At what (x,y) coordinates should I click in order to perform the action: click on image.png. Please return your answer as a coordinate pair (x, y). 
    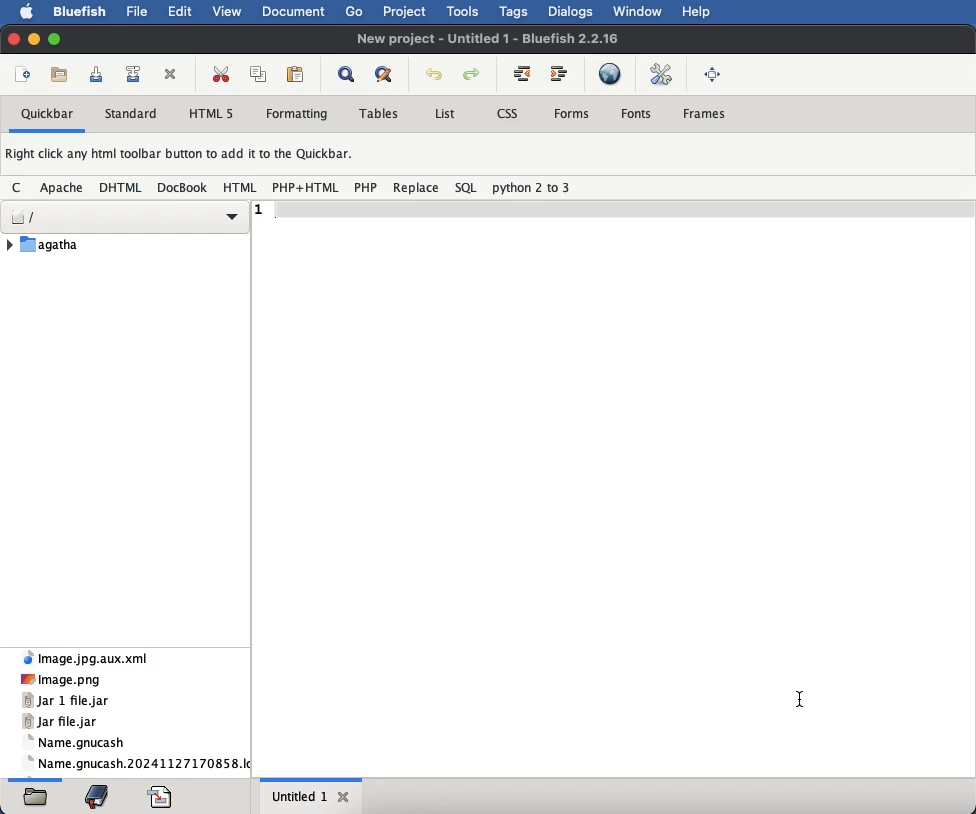
    Looking at the image, I should click on (78, 679).